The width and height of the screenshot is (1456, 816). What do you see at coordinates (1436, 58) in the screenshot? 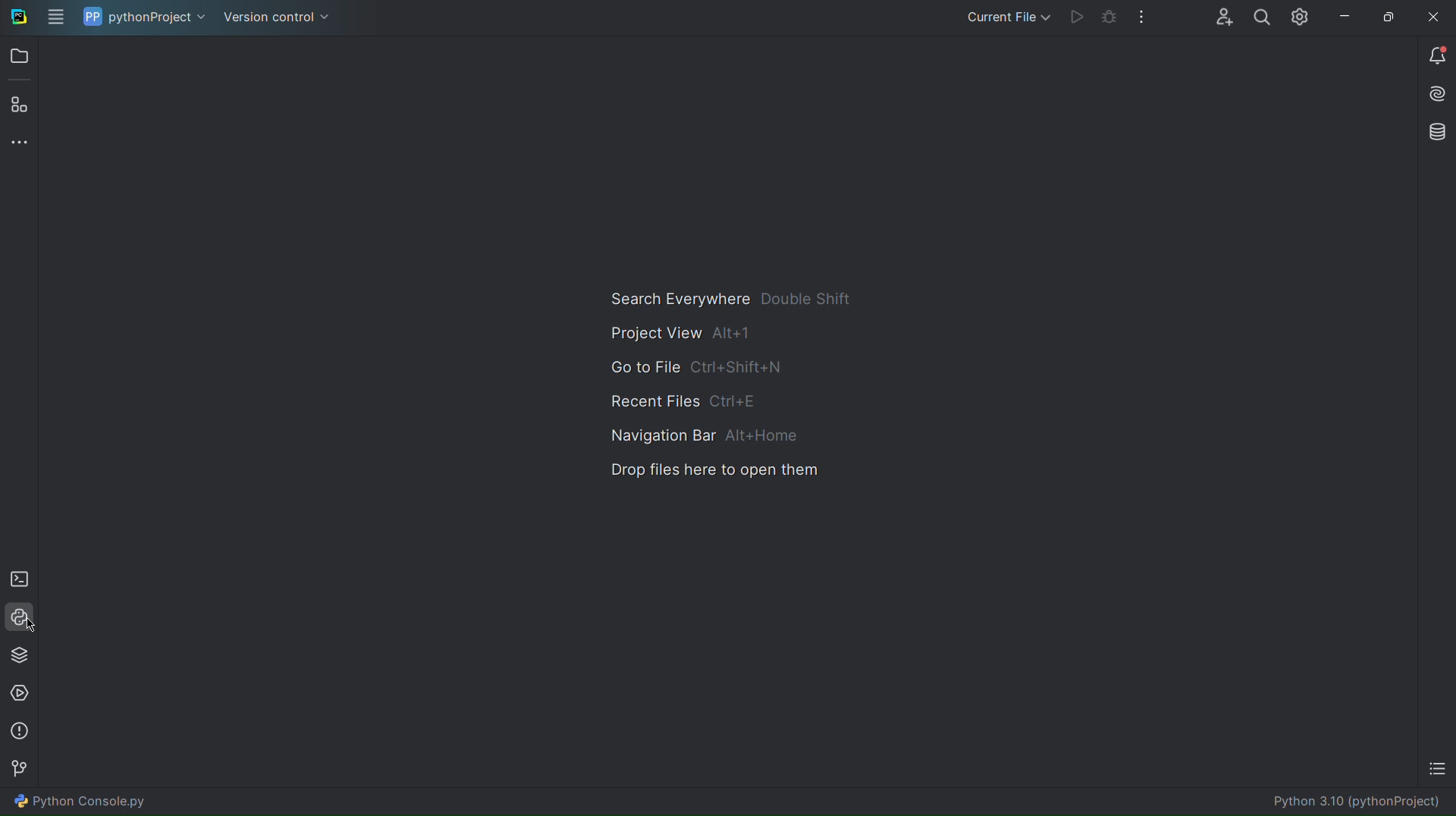
I see `Notifications` at bounding box center [1436, 58].